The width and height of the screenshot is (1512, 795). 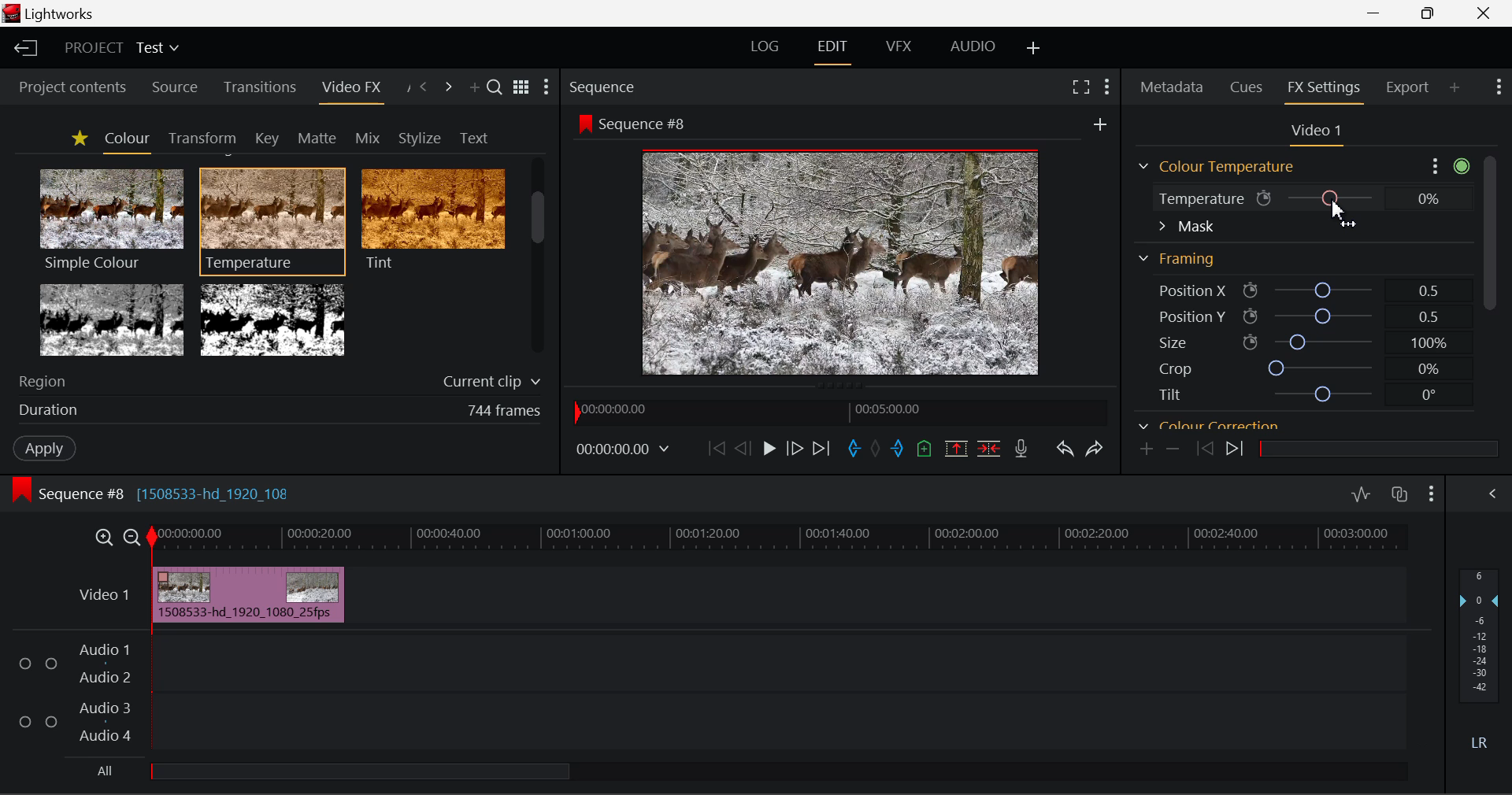 I want to click on Timeline Track, so click(x=781, y=538).